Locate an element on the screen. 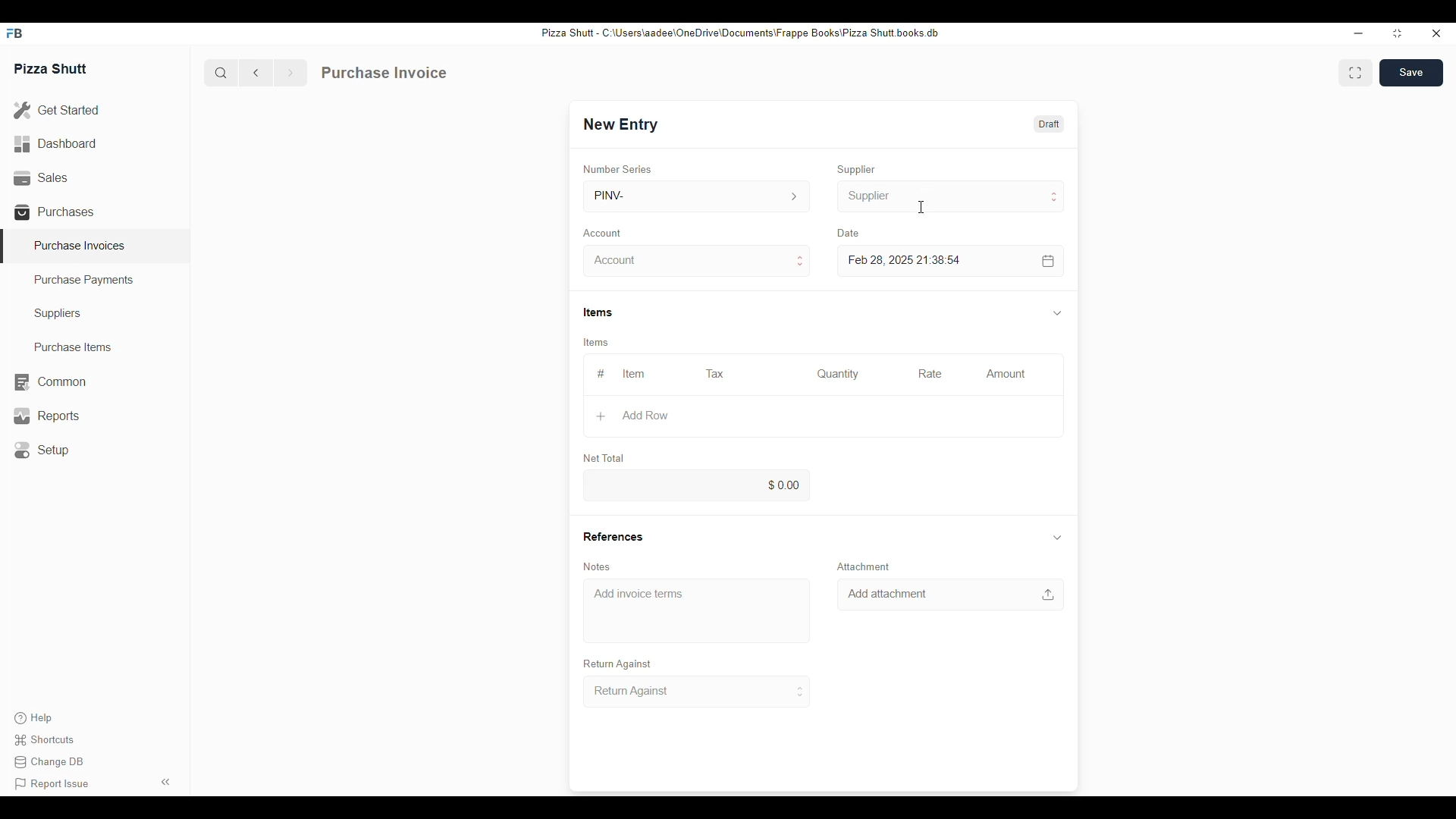 The image size is (1456, 819). Items is located at coordinates (595, 312).